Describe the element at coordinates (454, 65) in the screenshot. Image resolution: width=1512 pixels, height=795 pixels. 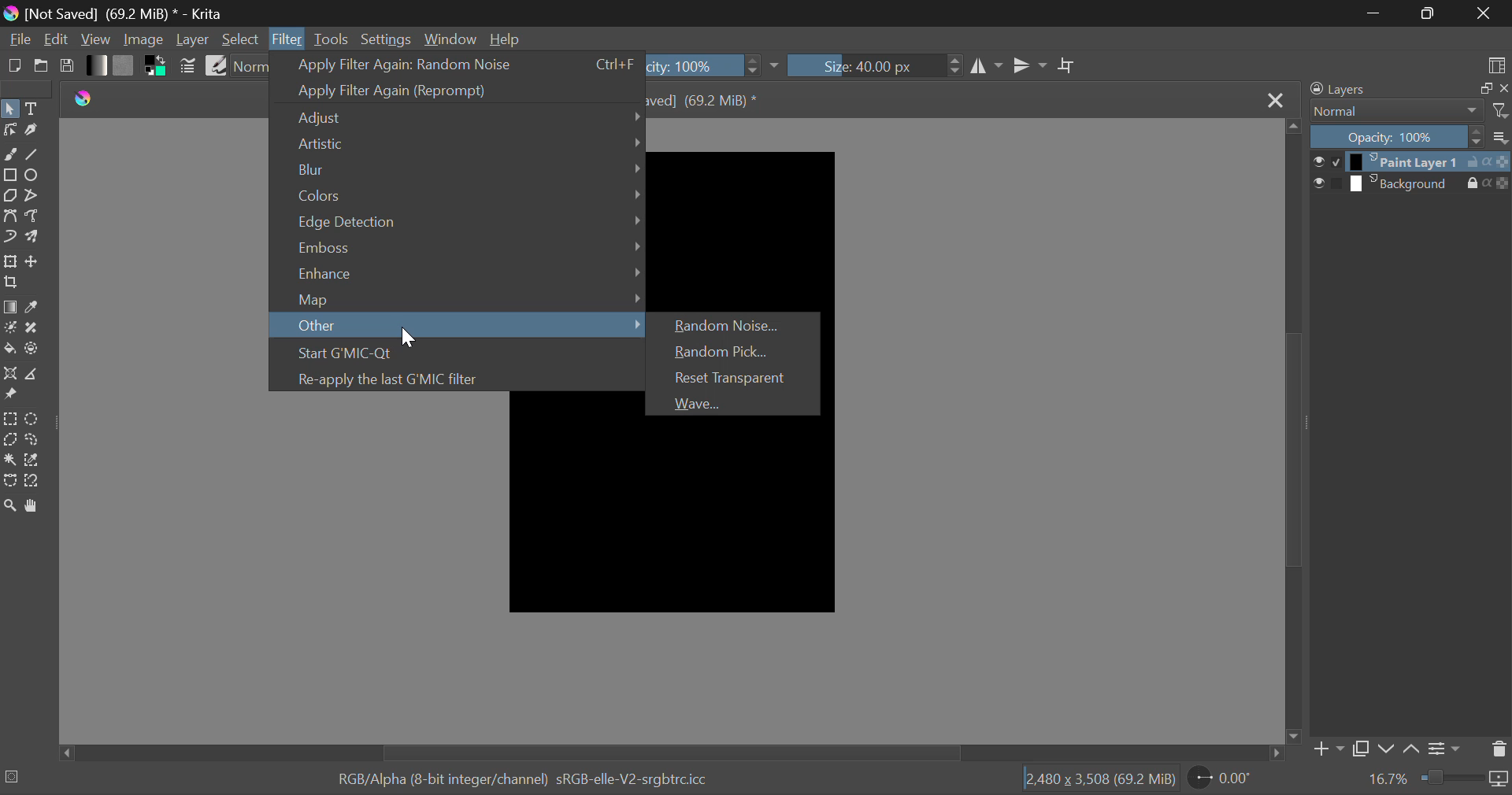
I see `Apply Filter Again` at that location.